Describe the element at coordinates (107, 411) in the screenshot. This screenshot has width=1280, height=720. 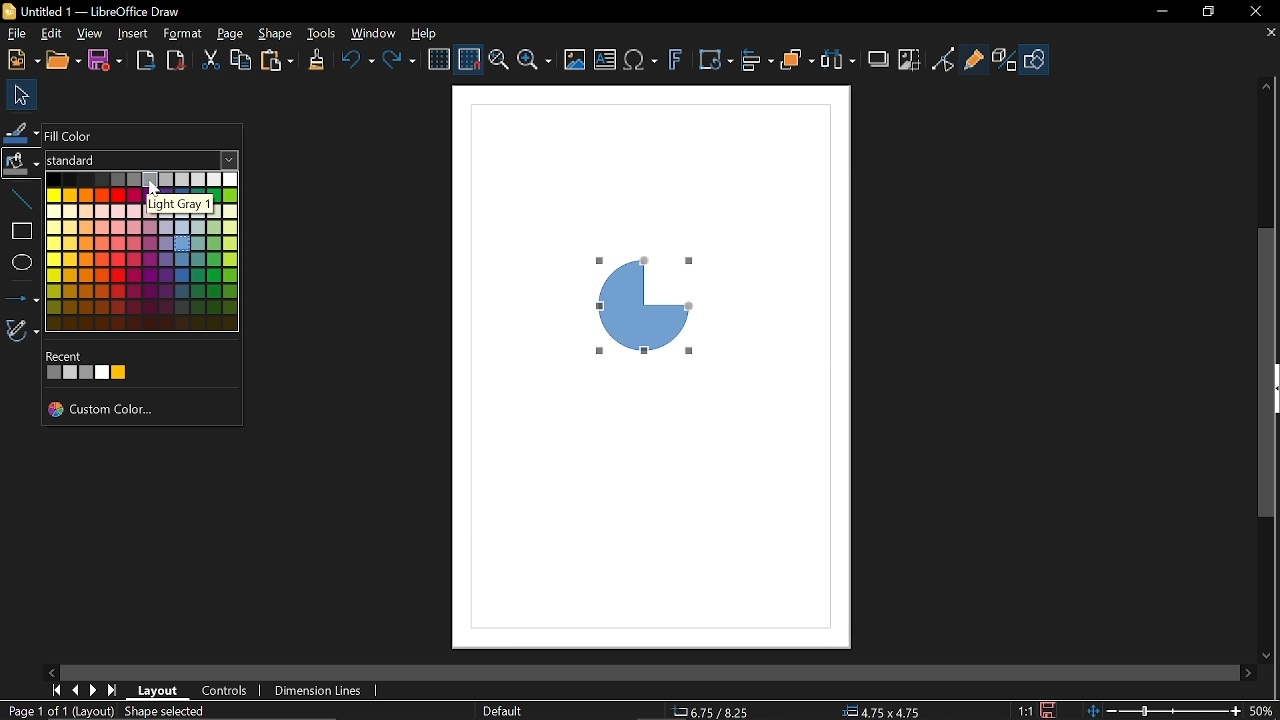
I see `Custom color` at that location.